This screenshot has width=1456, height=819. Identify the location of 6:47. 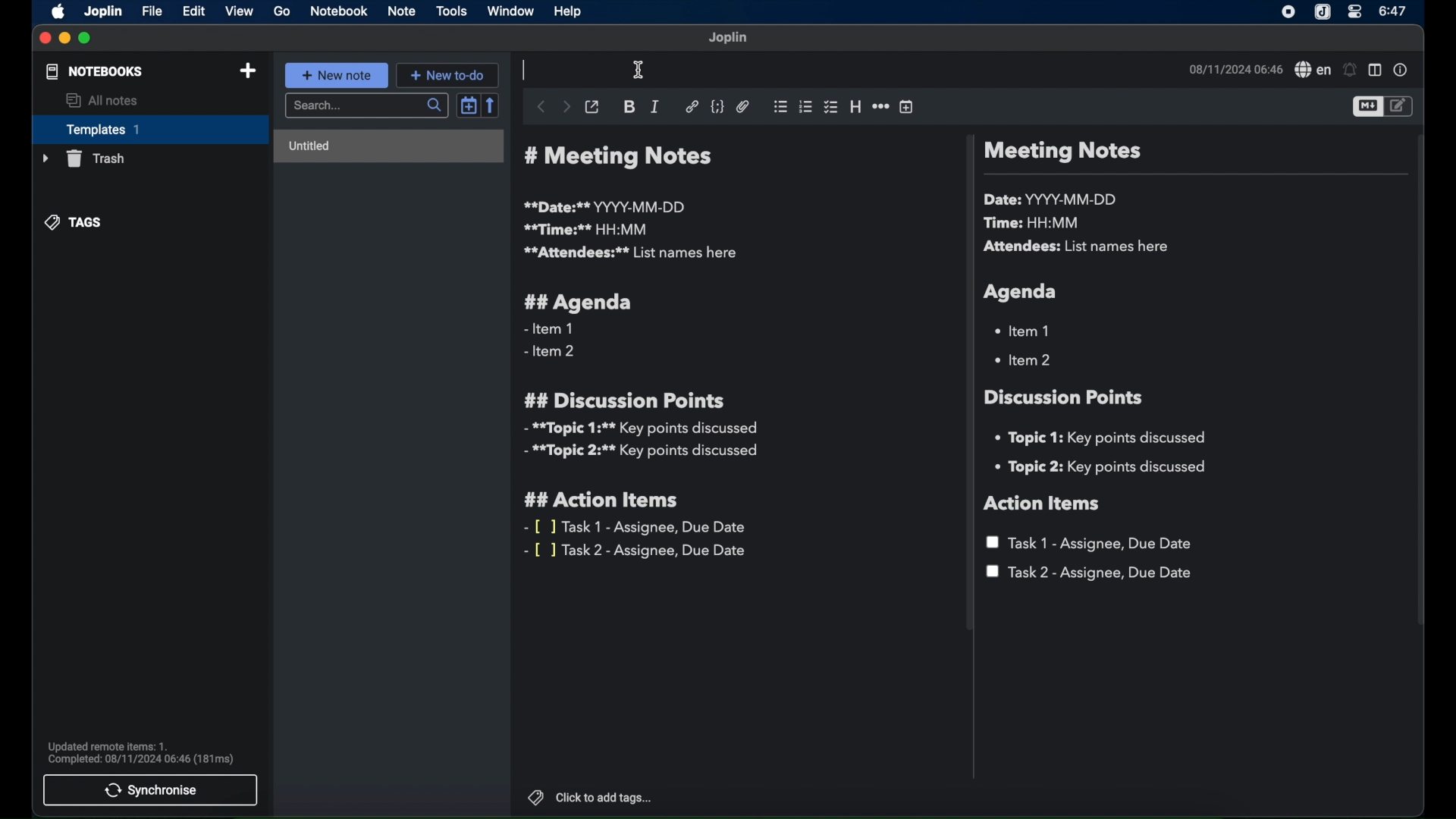
(1392, 11).